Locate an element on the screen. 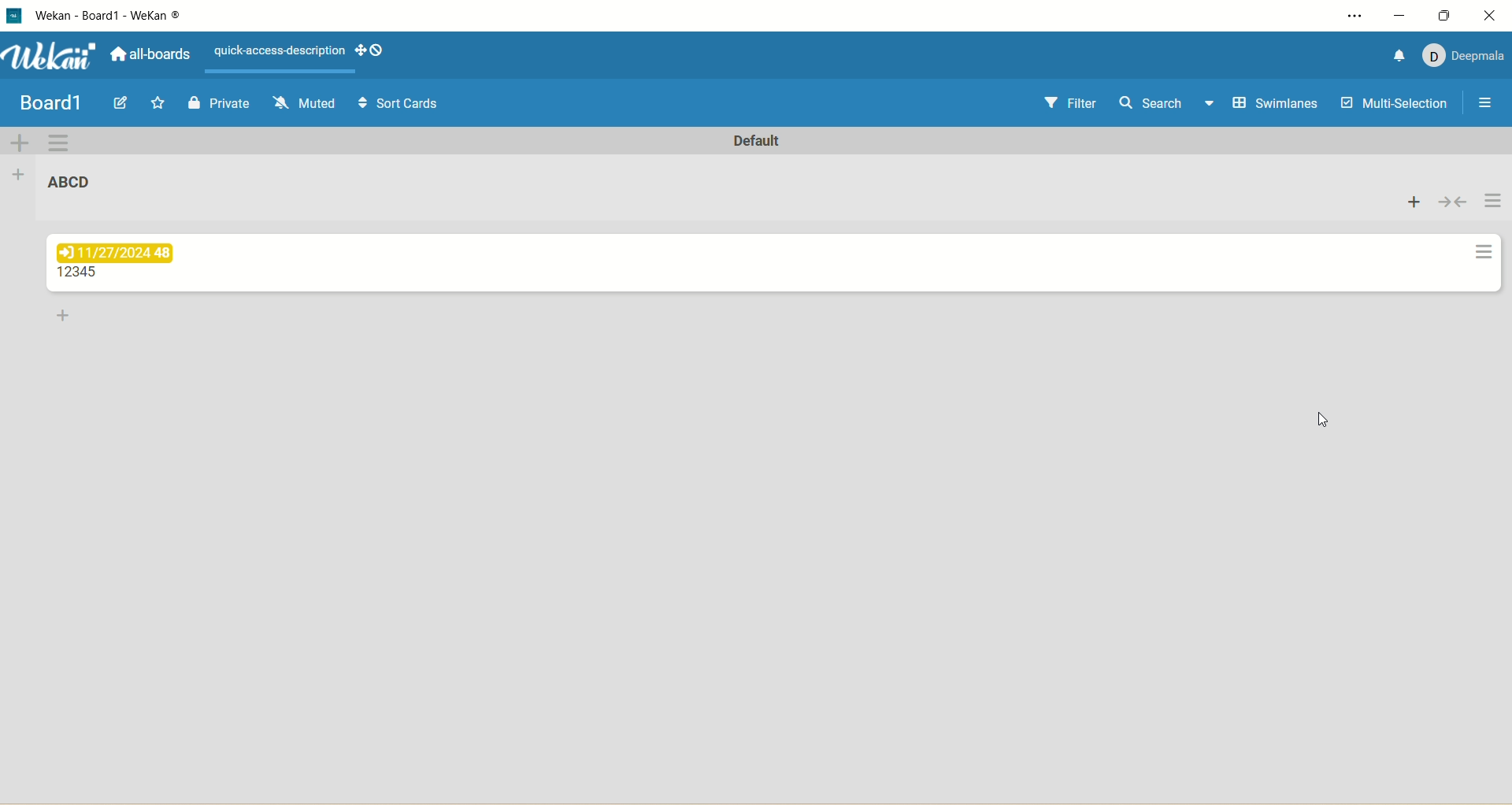  list title is located at coordinates (70, 181).